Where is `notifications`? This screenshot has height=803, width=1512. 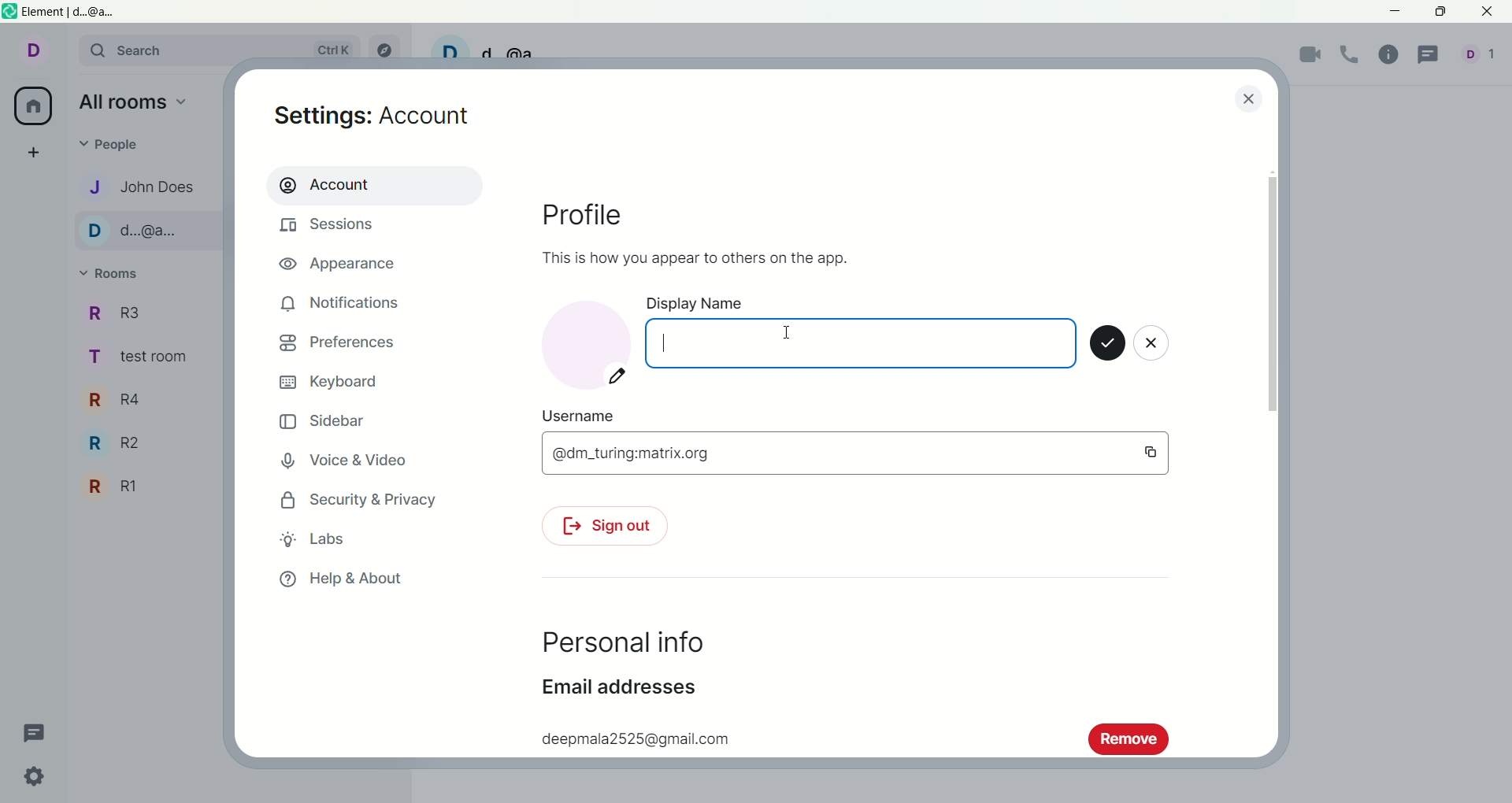 notifications is located at coordinates (341, 303).